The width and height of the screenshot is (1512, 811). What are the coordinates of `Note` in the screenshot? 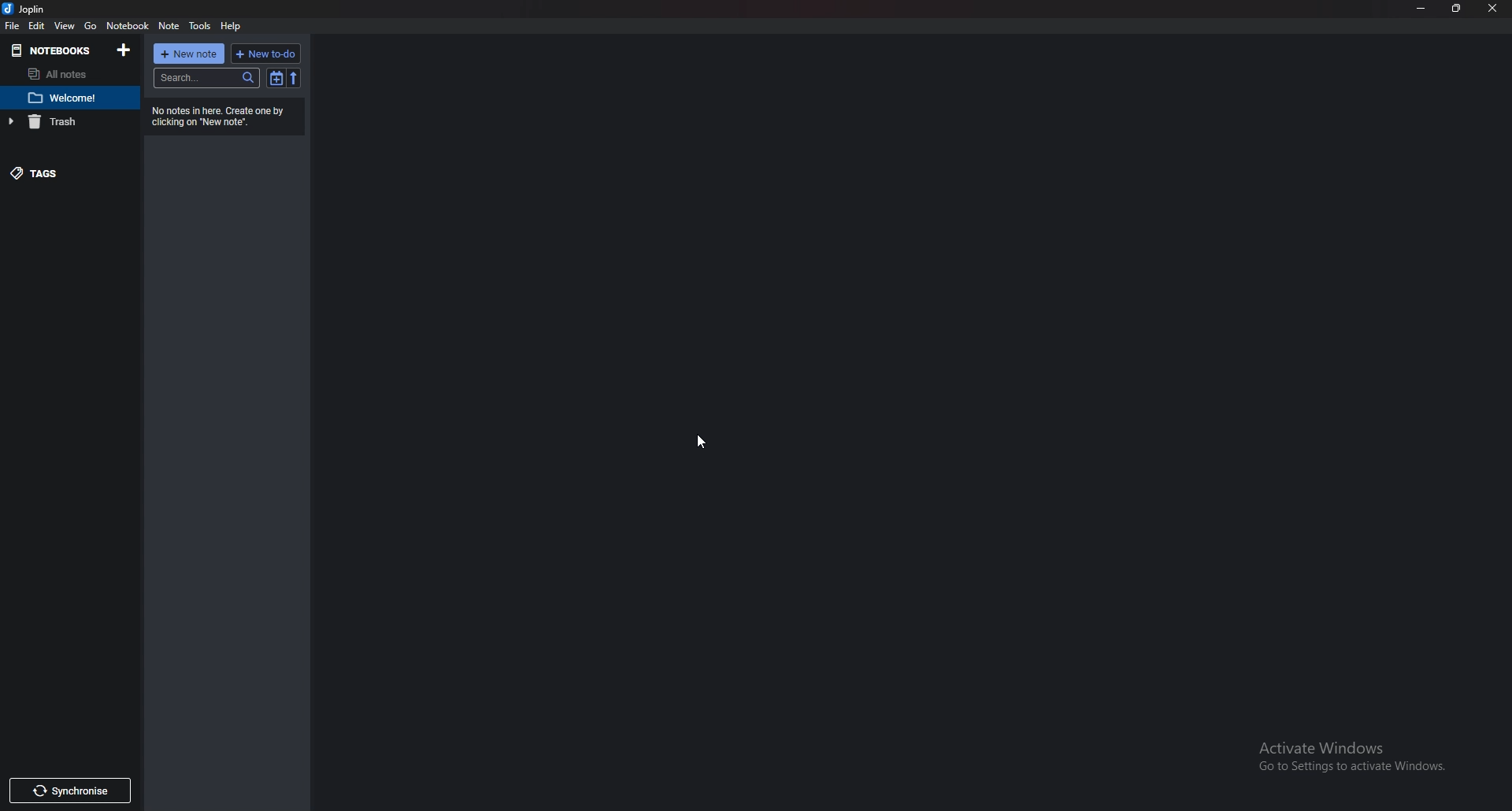 It's located at (170, 25).